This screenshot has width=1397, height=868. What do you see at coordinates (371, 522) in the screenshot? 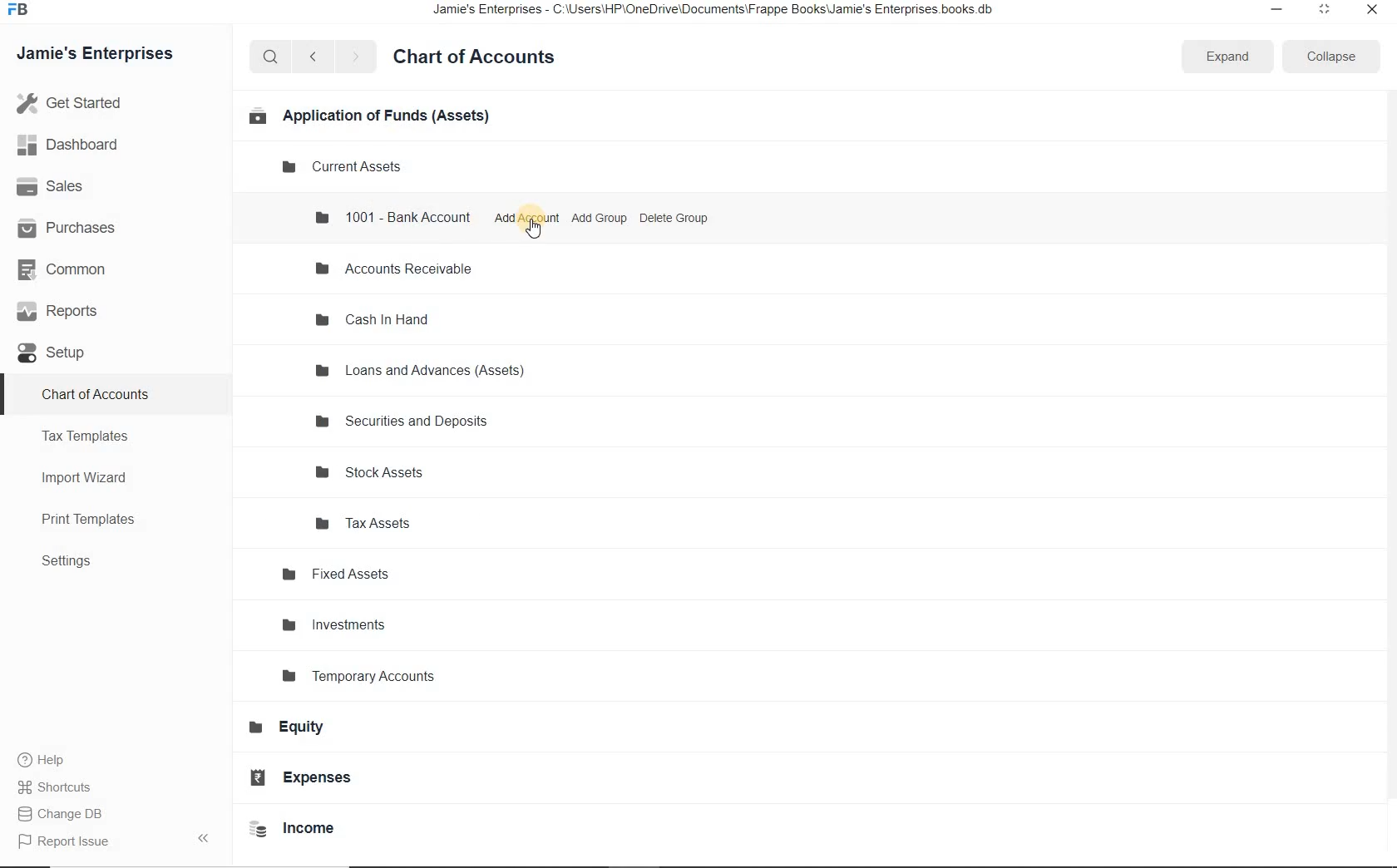
I see `Tax Assets` at bounding box center [371, 522].